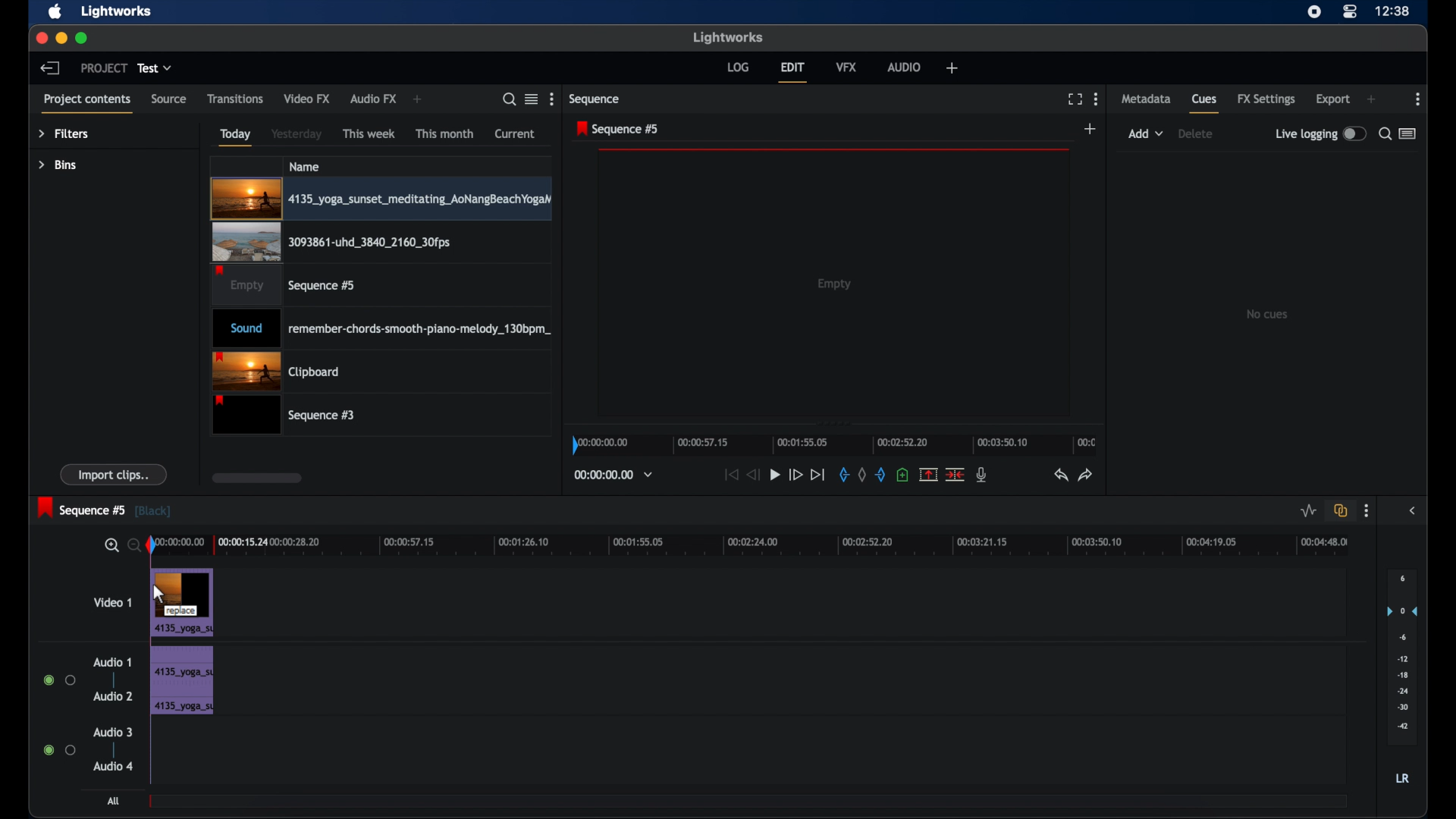 Image resolution: width=1456 pixels, height=819 pixels. What do you see at coordinates (1341, 510) in the screenshot?
I see `toggle auto track synd` at bounding box center [1341, 510].